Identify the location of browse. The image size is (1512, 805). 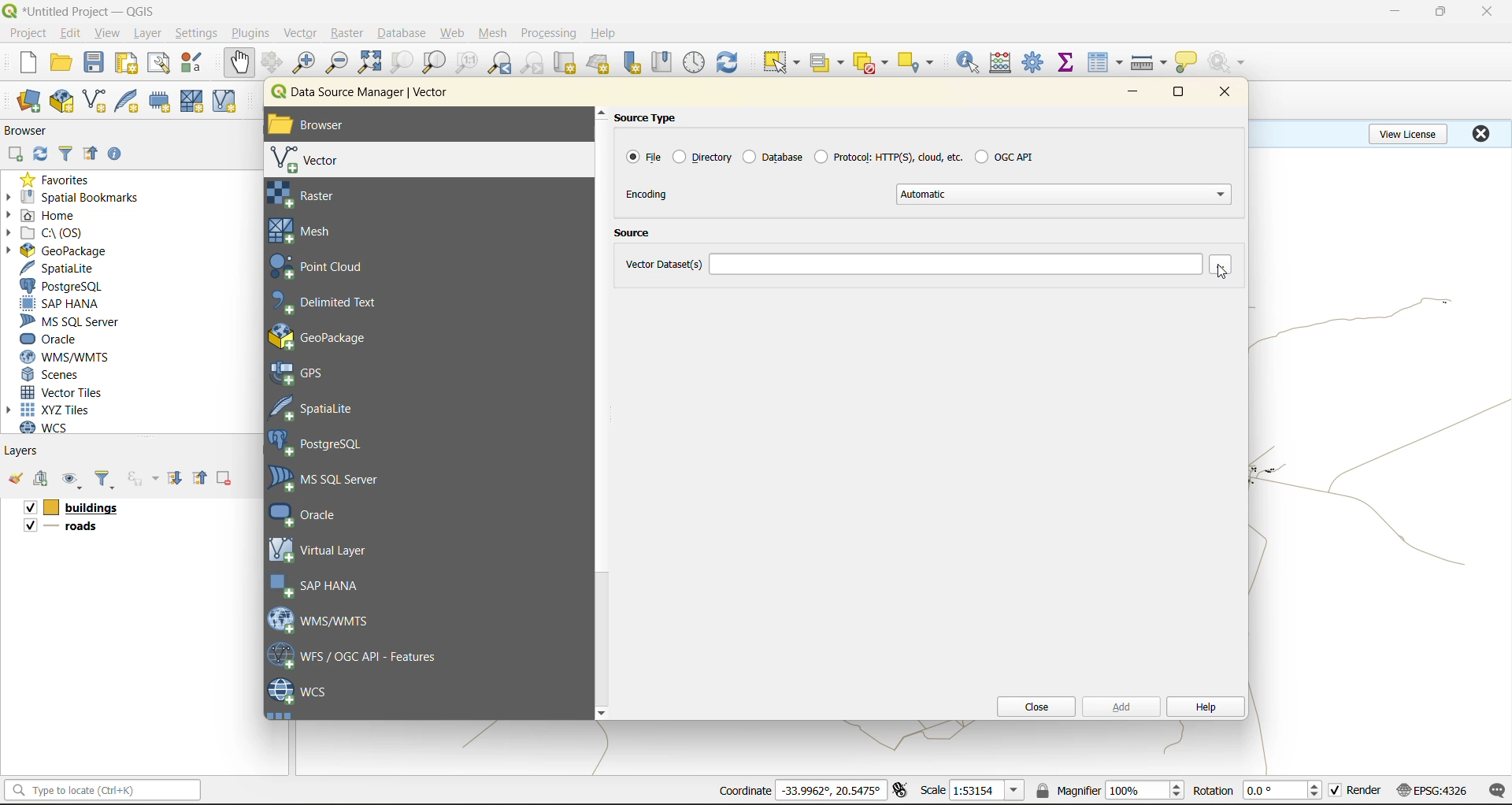
(1225, 265).